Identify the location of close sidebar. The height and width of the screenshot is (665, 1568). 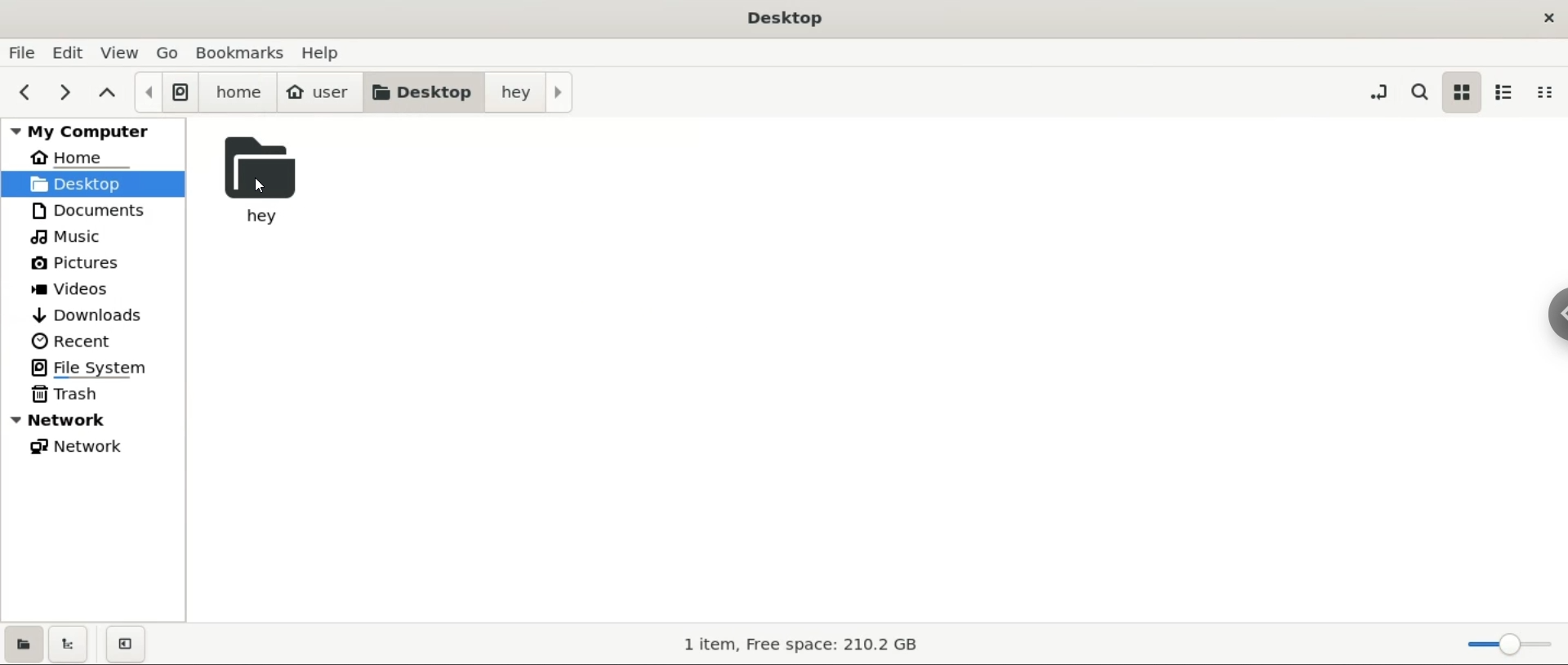
(126, 645).